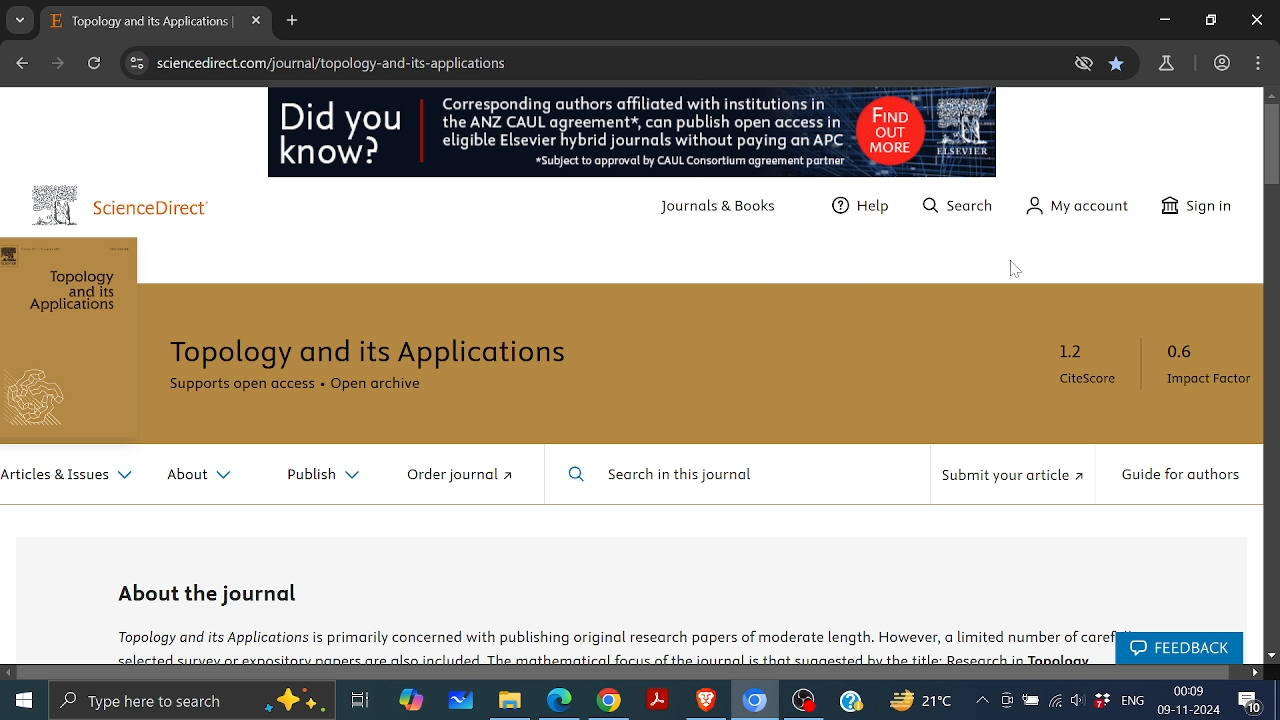  Describe the element at coordinates (925, 132) in the screenshot. I see `Find out MORE` at that location.